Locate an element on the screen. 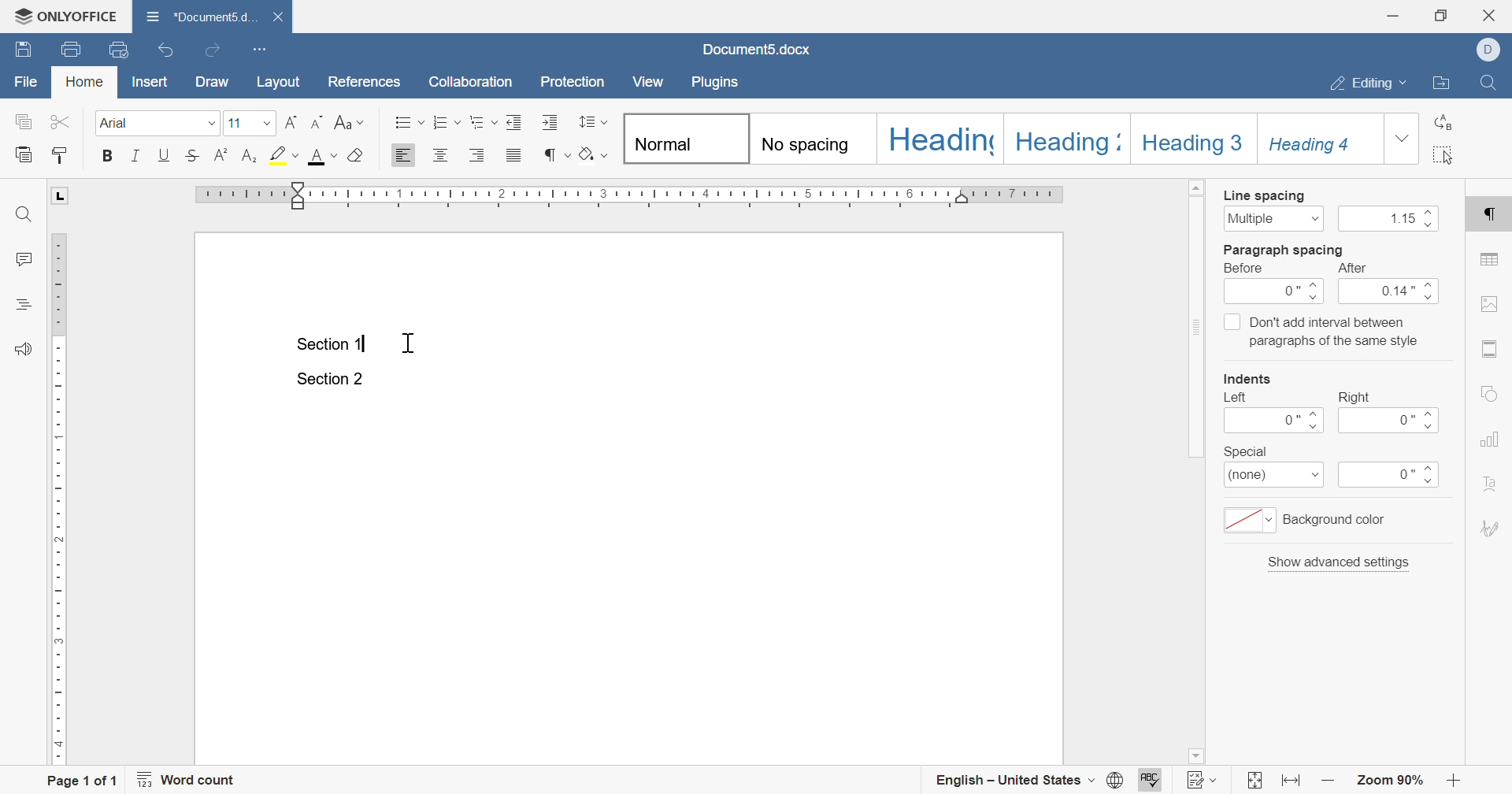 Image resolution: width=1512 pixels, height=794 pixels. cut is located at coordinates (61, 122).